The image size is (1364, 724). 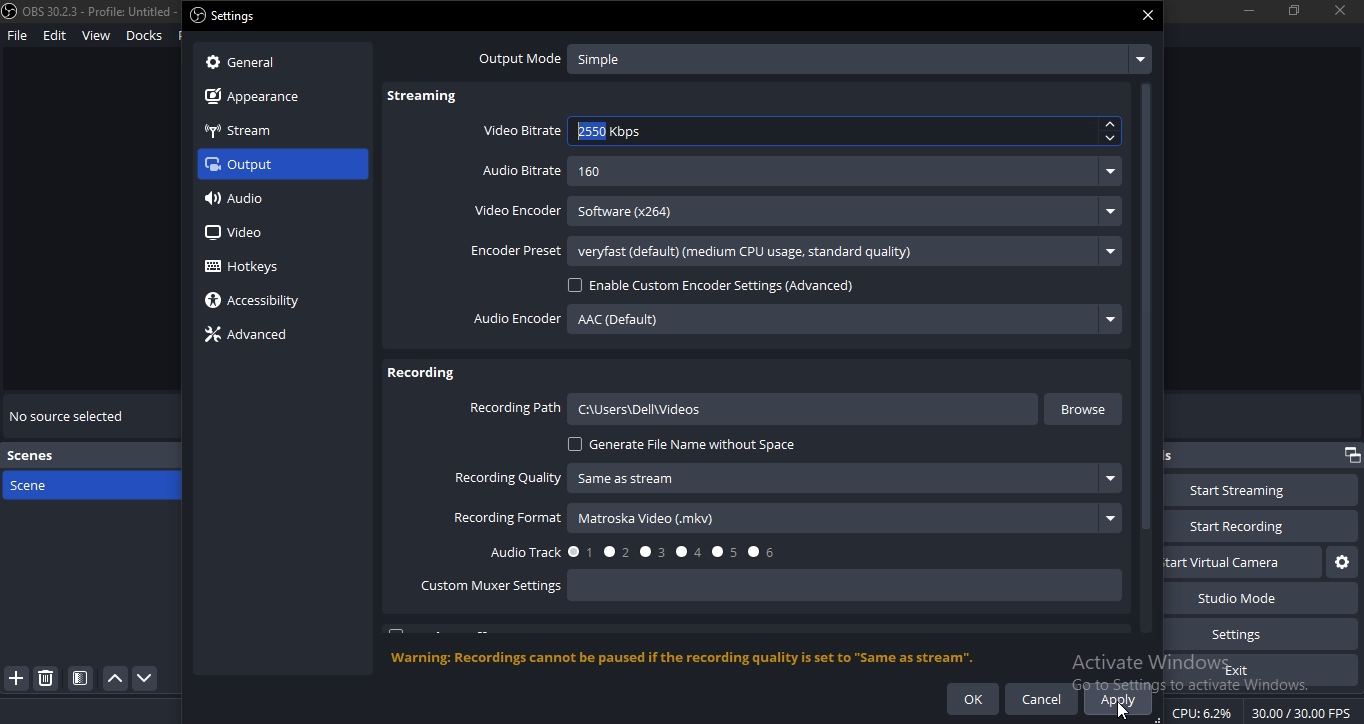 I want to click on restore, so click(x=1294, y=9).